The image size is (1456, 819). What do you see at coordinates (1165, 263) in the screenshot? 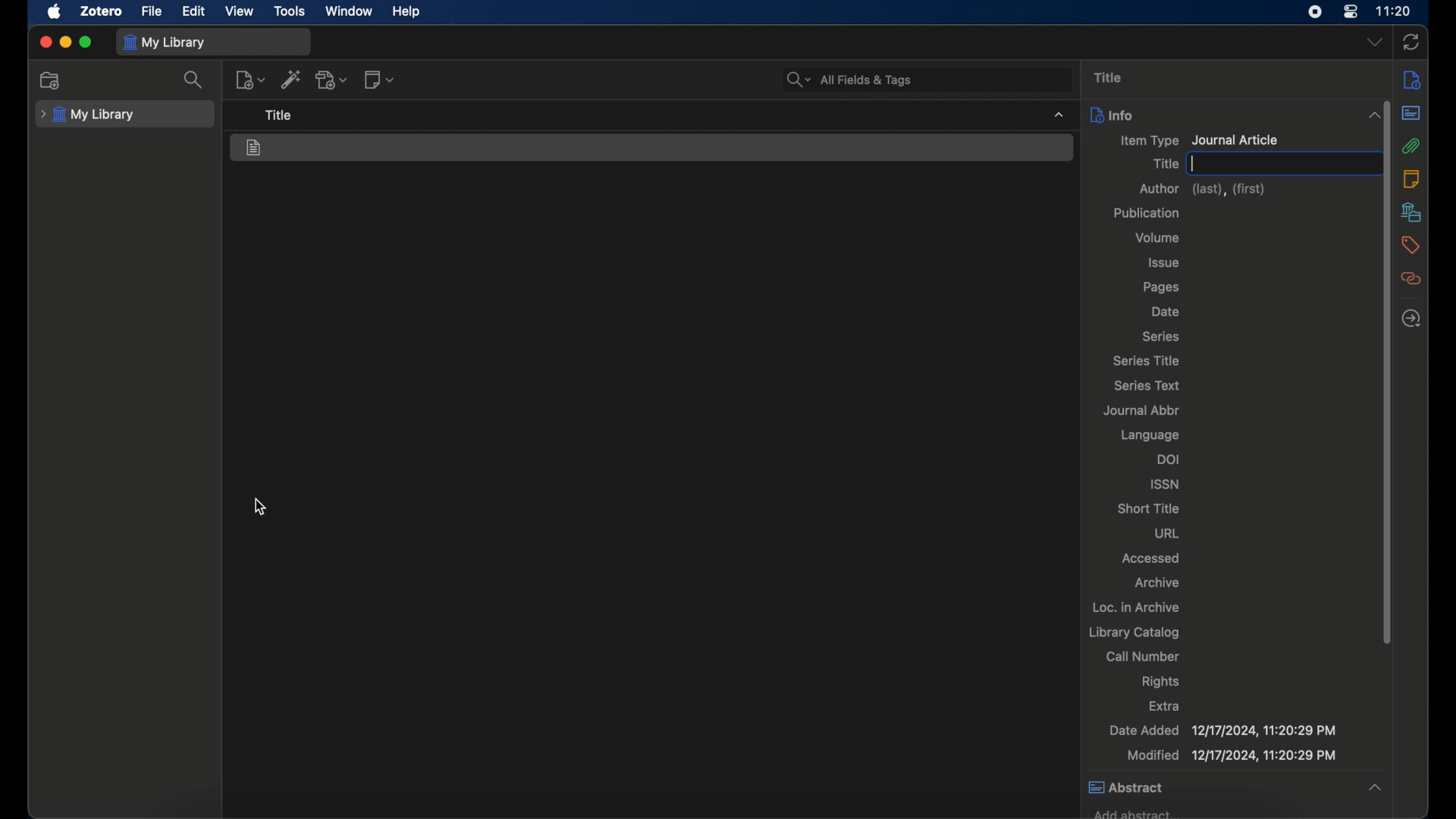
I see `issue` at bounding box center [1165, 263].